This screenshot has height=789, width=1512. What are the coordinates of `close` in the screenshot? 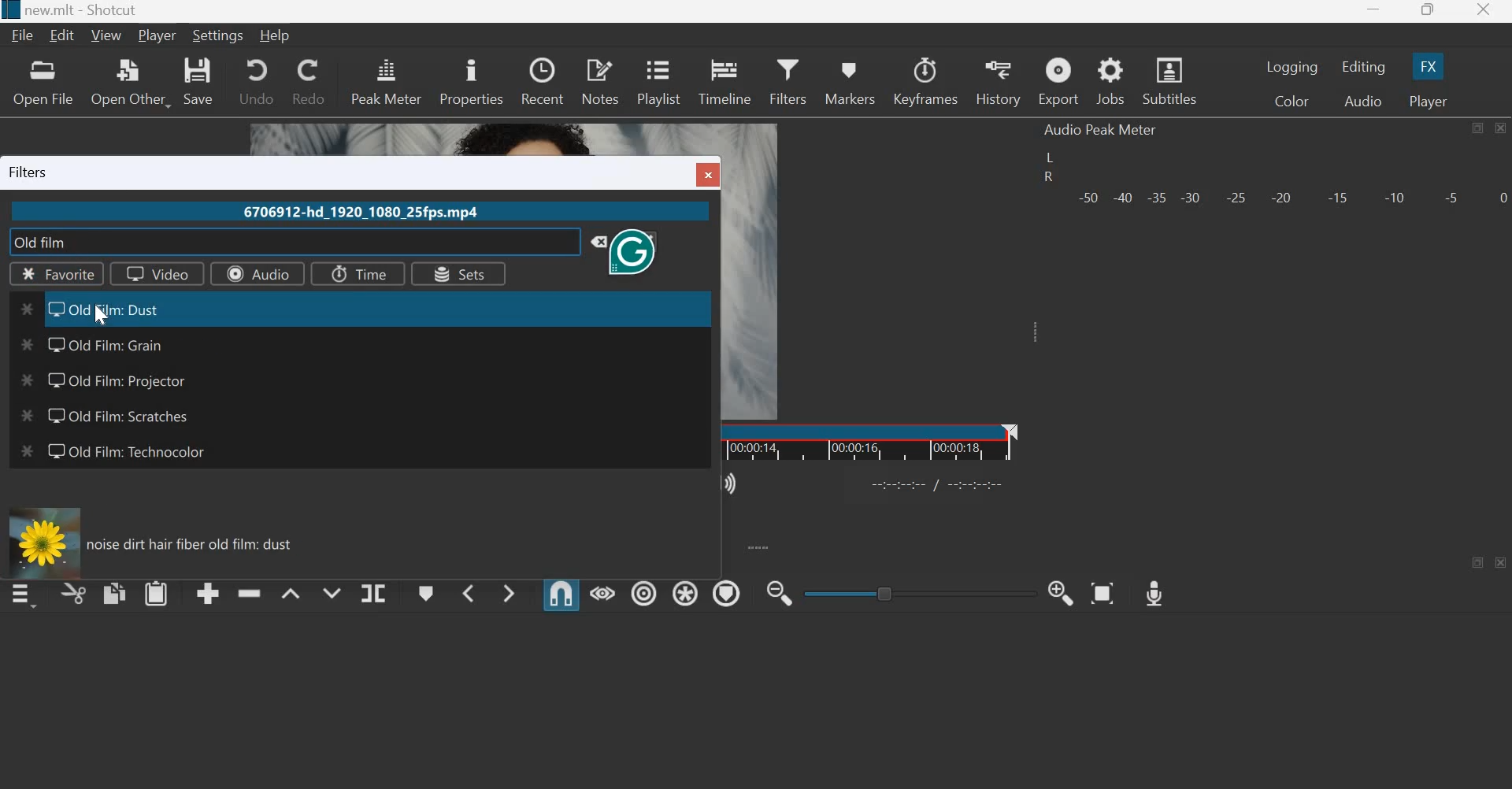 It's located at (1502, 563).